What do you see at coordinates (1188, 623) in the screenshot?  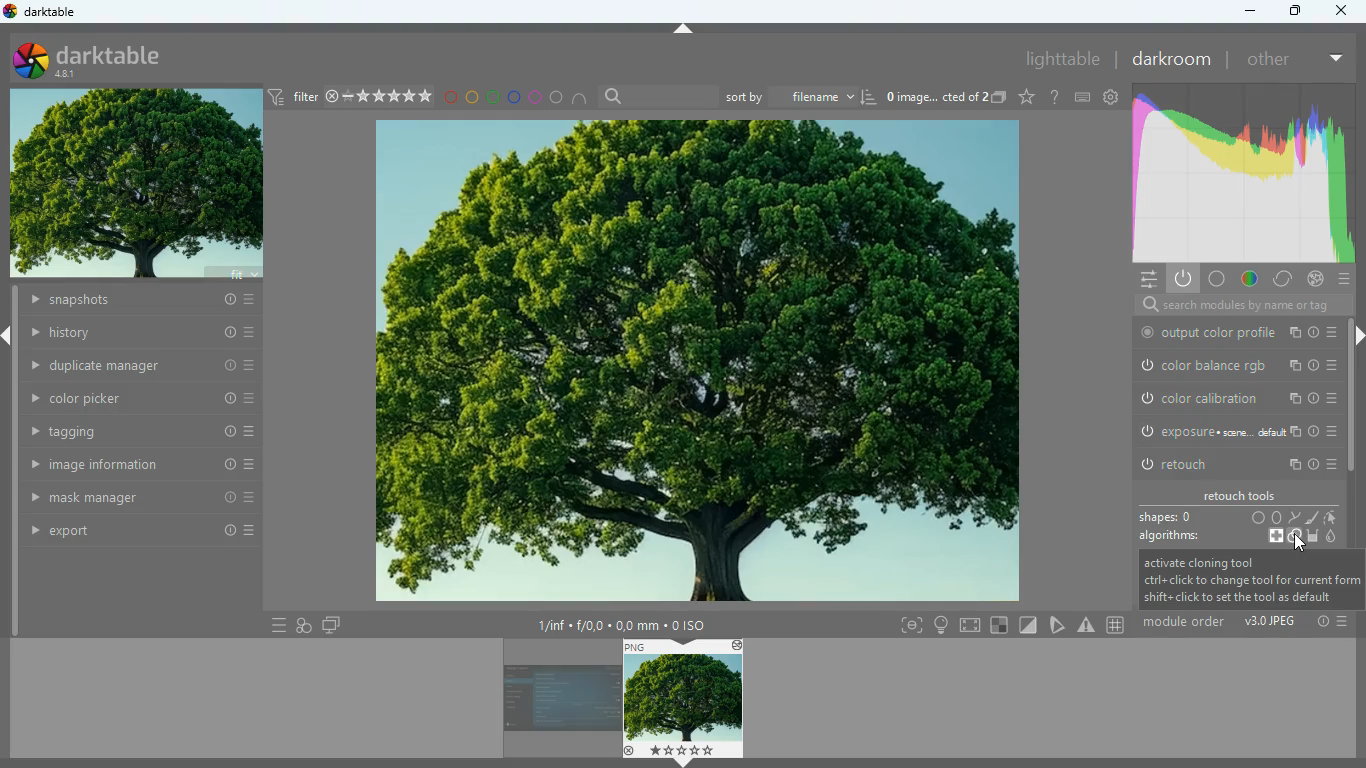 I see `module order` at bounding box center [1188, 623].